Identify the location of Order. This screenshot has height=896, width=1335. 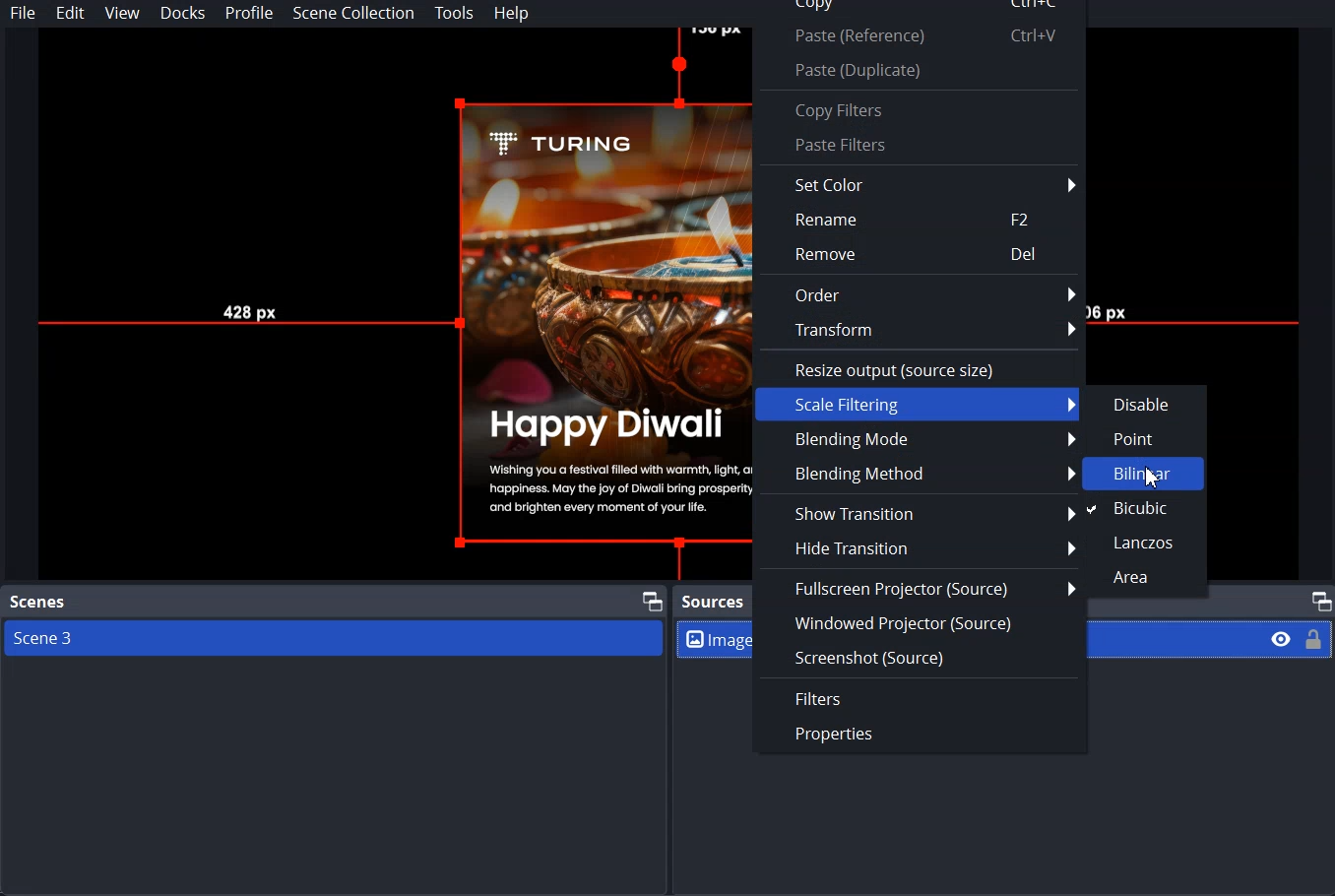
(920, 293).